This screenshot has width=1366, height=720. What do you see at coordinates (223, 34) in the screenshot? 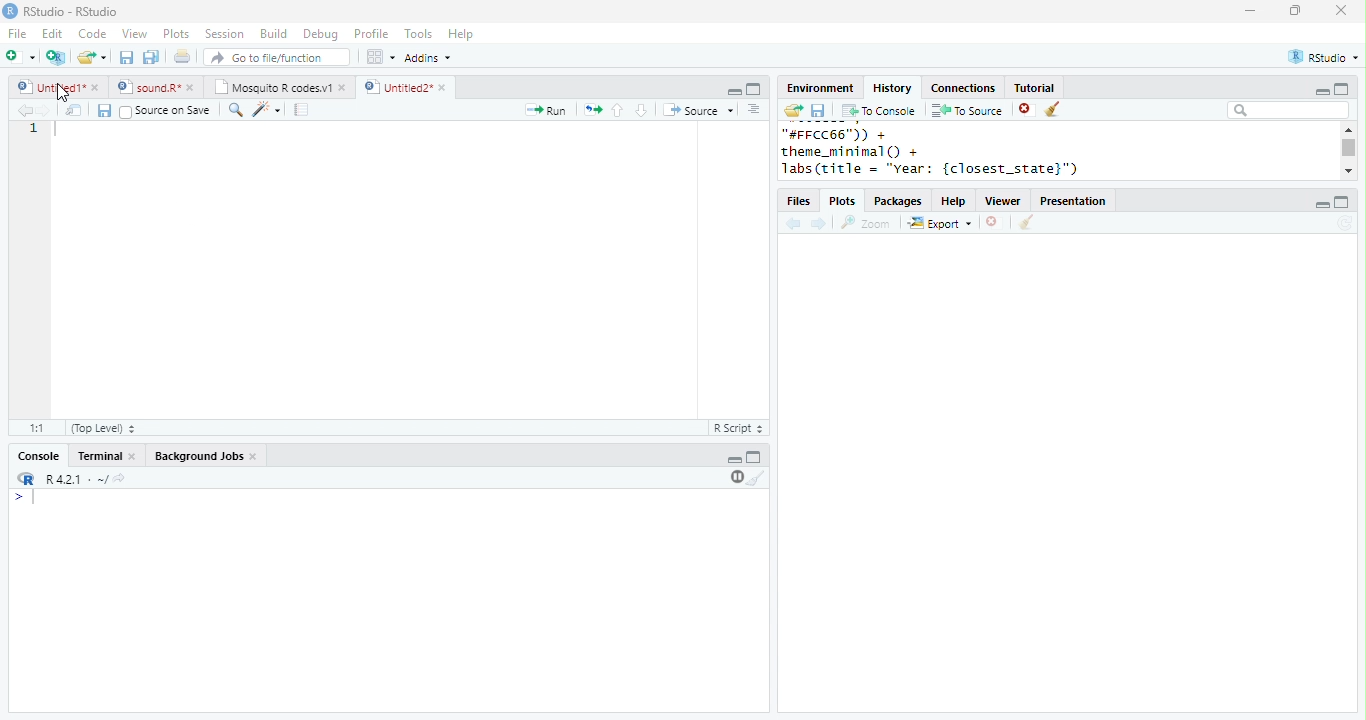
I see `Session` at bounding box center [223, 34].